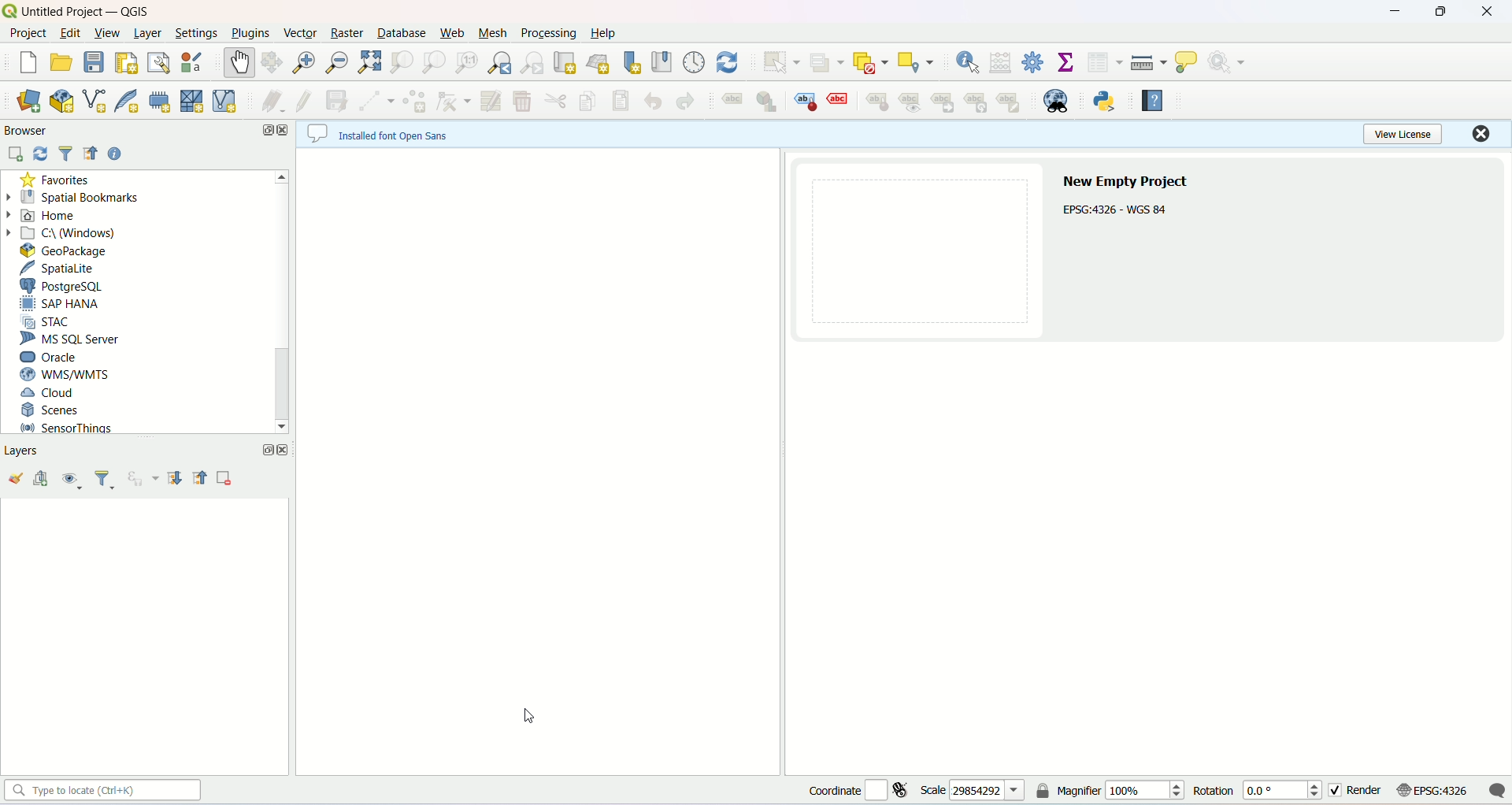 This screenshot has height=805, width=1512. Describe the element at coordinates (93, 61) in the screenshot. I see `save project` at that location.